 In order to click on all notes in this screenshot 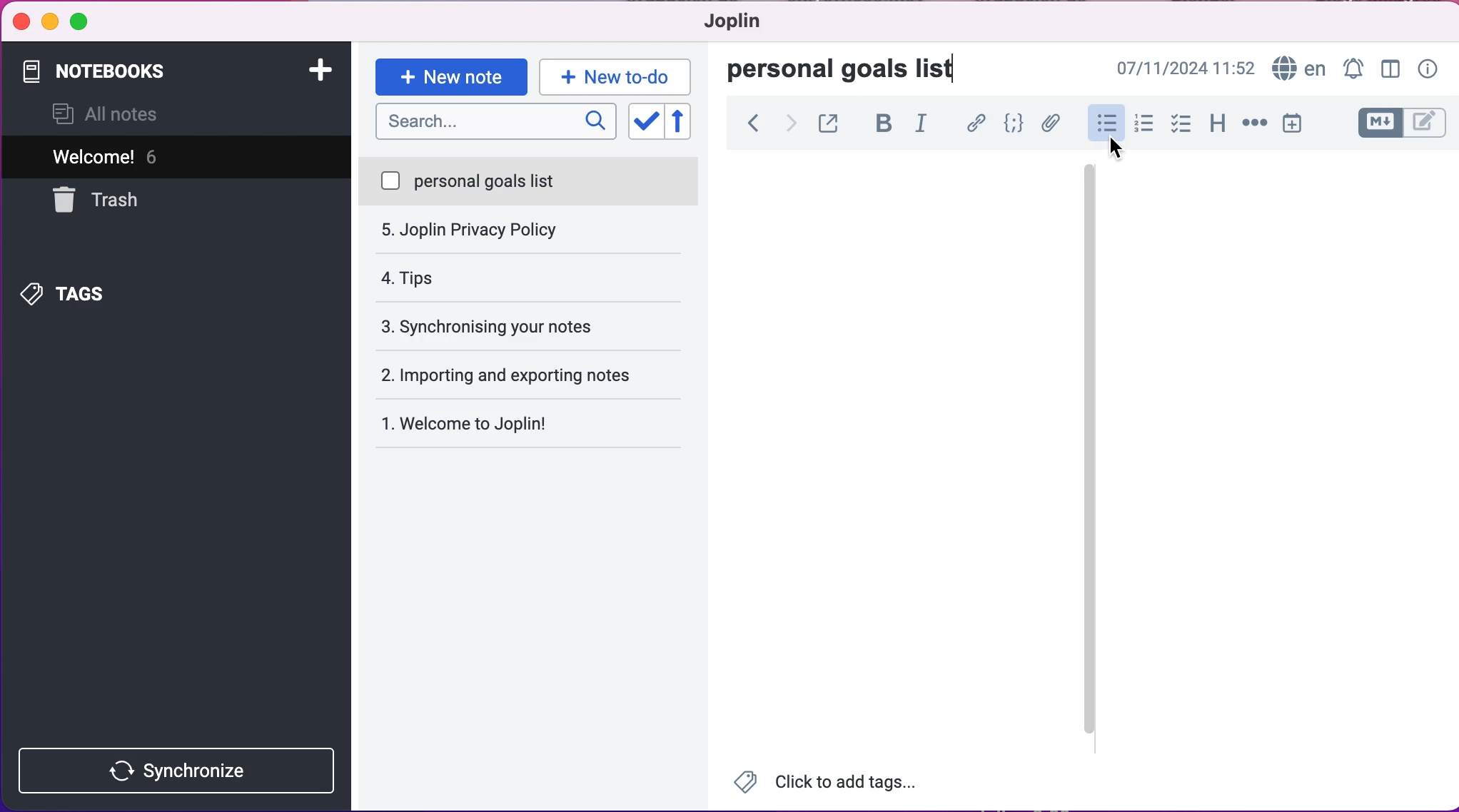, I will do `click(114, 116)`.